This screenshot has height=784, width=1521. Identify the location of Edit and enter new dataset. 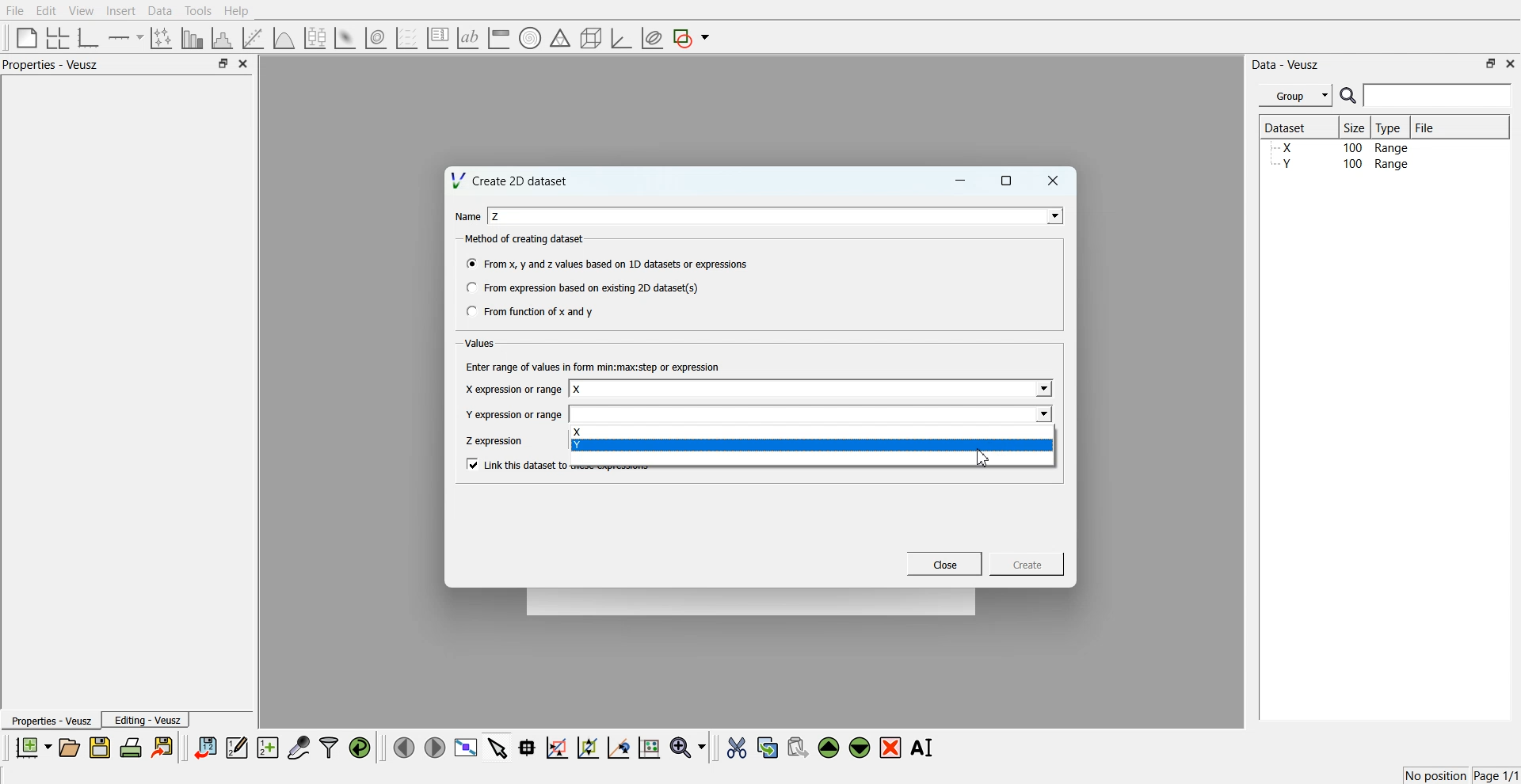
(236, 747).